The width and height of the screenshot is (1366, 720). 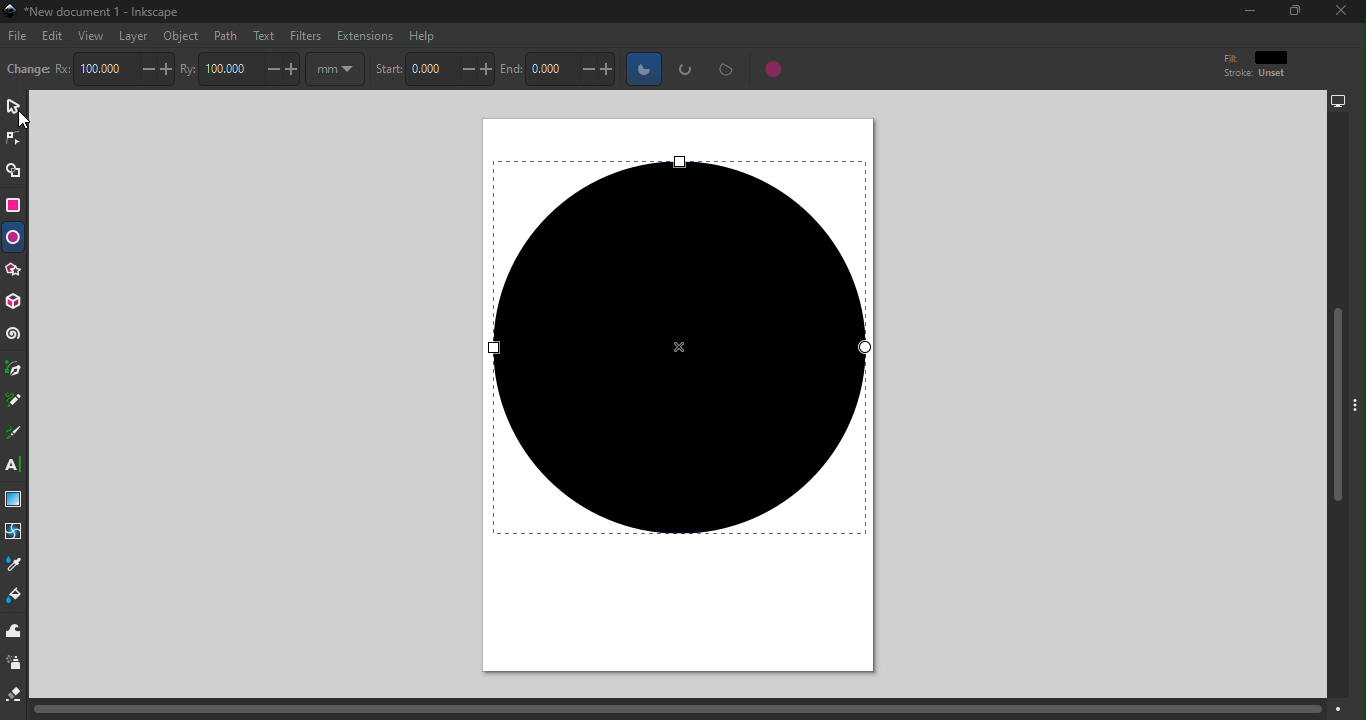 What do you see at coordinates (16, 627) in the screenshot?
I see `tweak tool` at bounding box center [16, 627].